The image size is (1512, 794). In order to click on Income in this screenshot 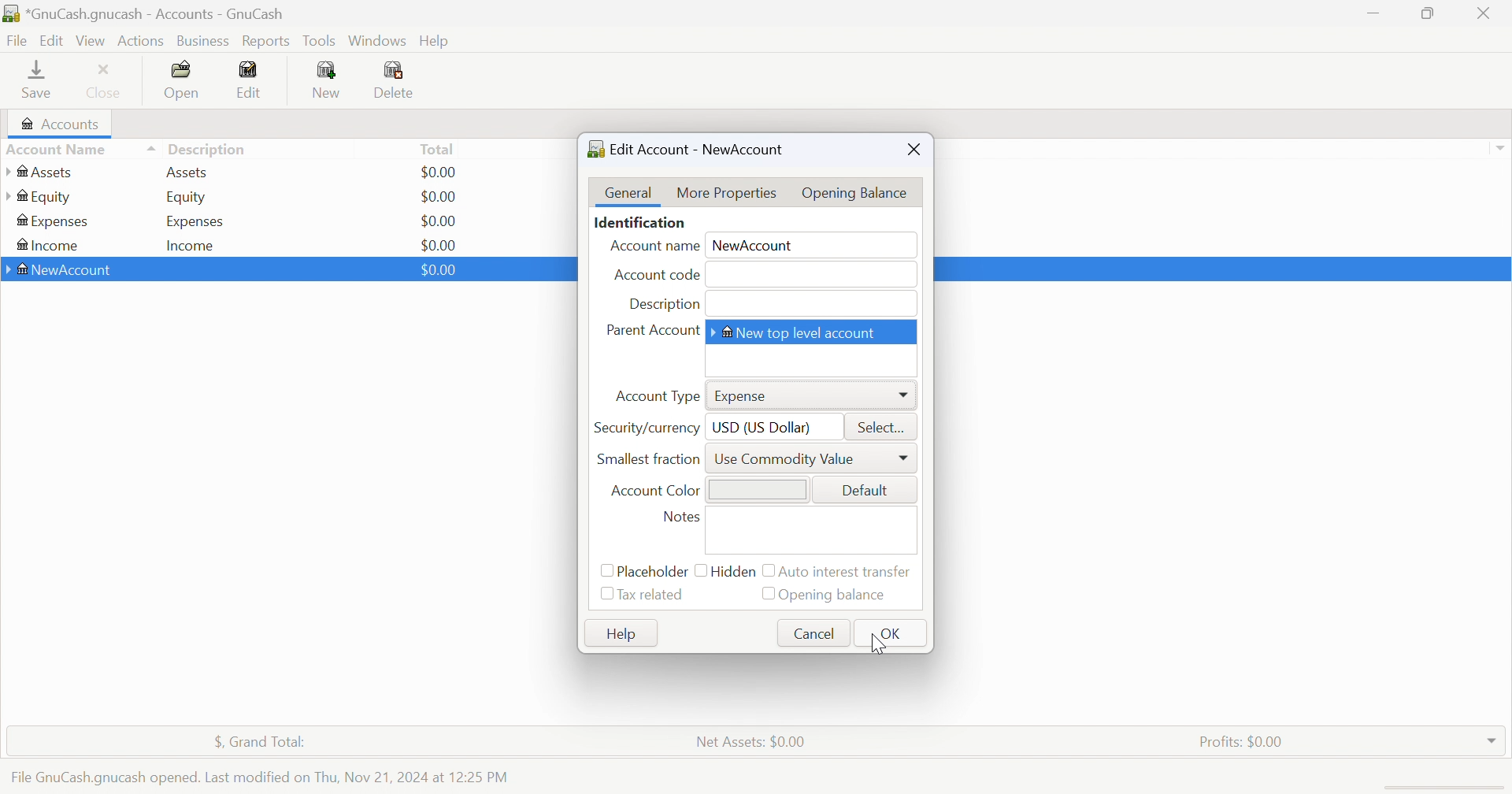, I will do `click(46, 247)`.